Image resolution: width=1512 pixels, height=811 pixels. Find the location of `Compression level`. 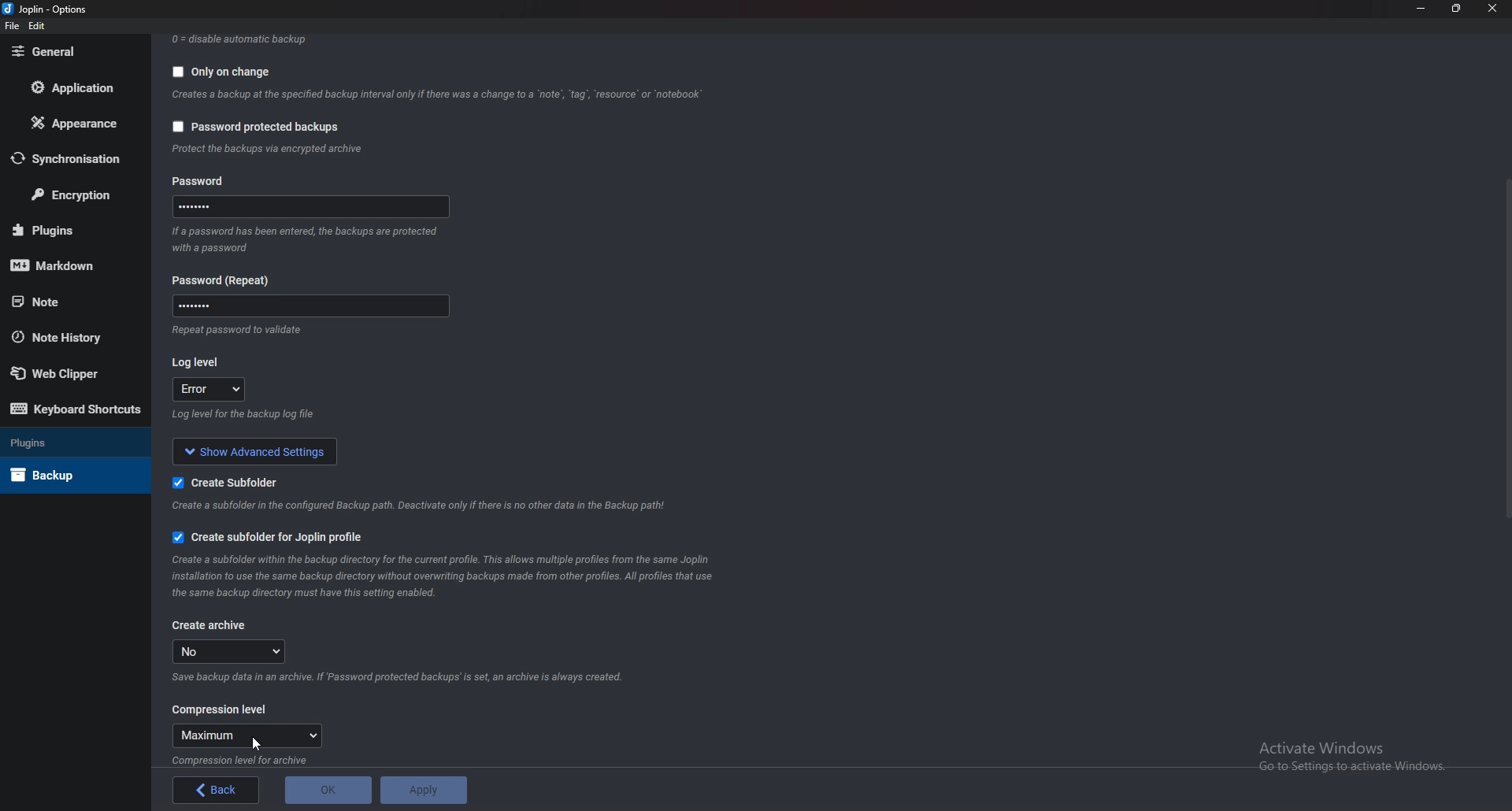

Compression level is located at coordinates (221, 709).